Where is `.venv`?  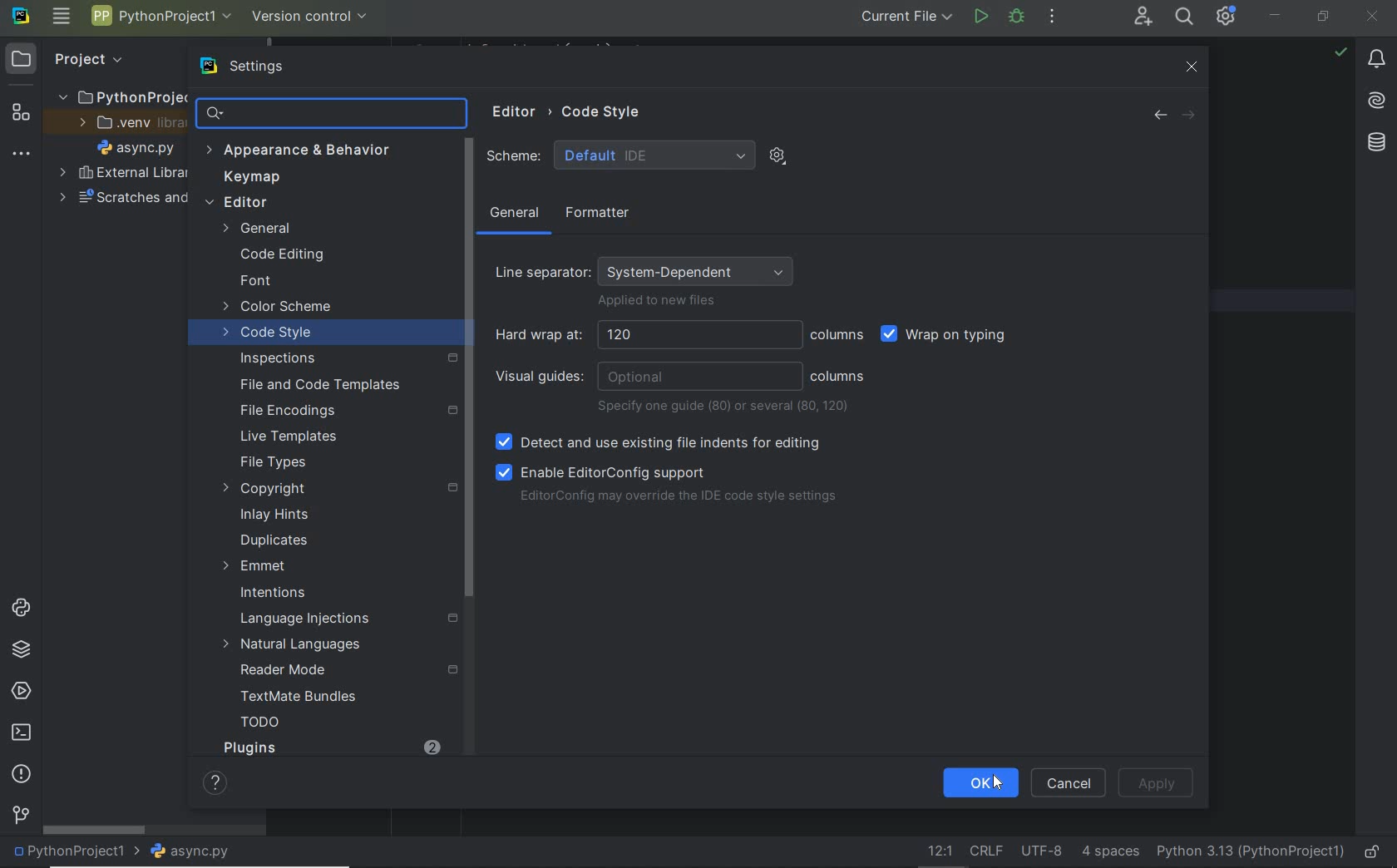
.venv is located at coordinates (126, 126).